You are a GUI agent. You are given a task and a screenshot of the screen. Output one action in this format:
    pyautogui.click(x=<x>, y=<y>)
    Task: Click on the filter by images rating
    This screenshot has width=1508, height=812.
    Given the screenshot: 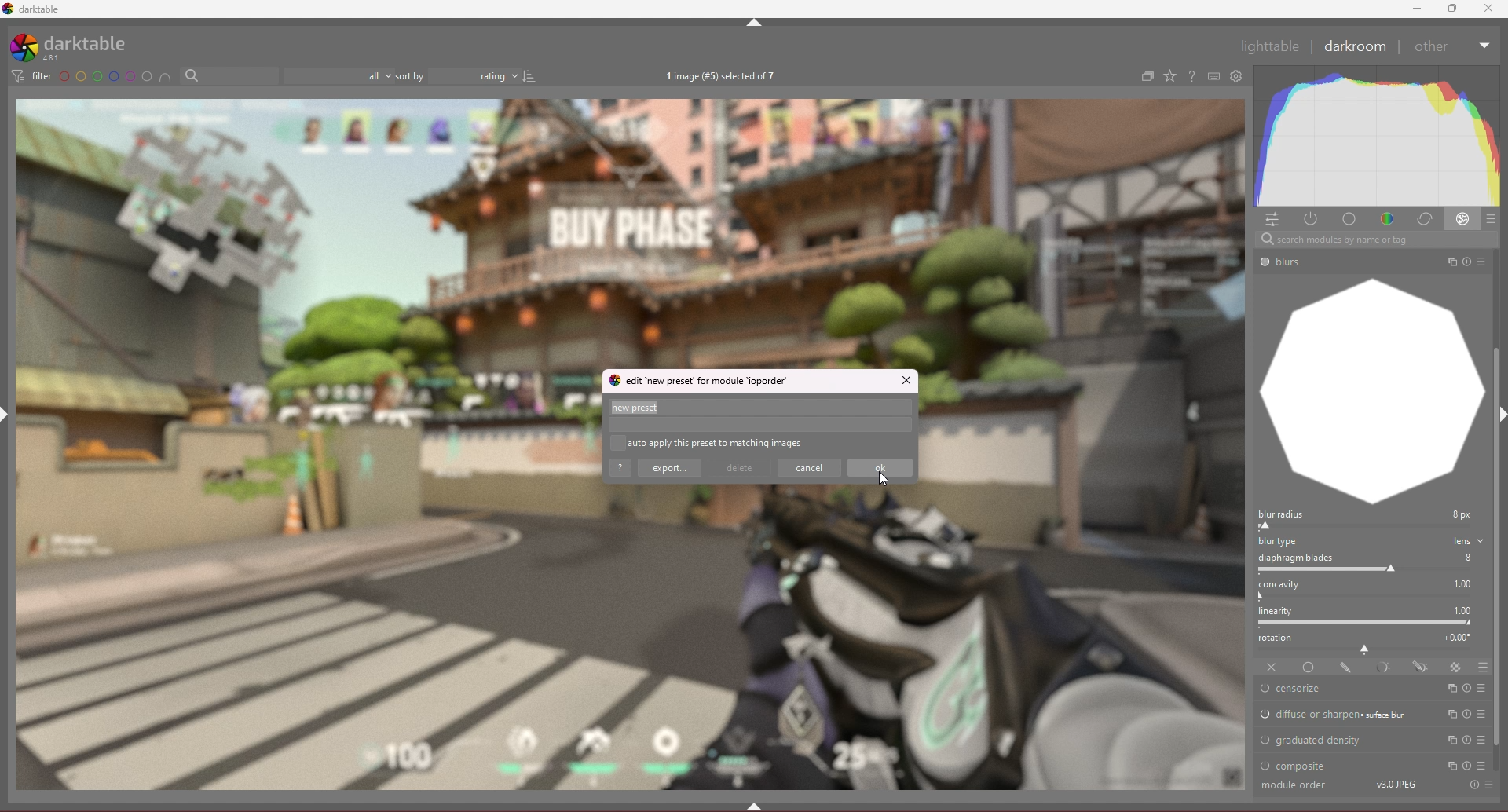 What is the action you would take?
    pyautogui.click(x=339, y=75)
    